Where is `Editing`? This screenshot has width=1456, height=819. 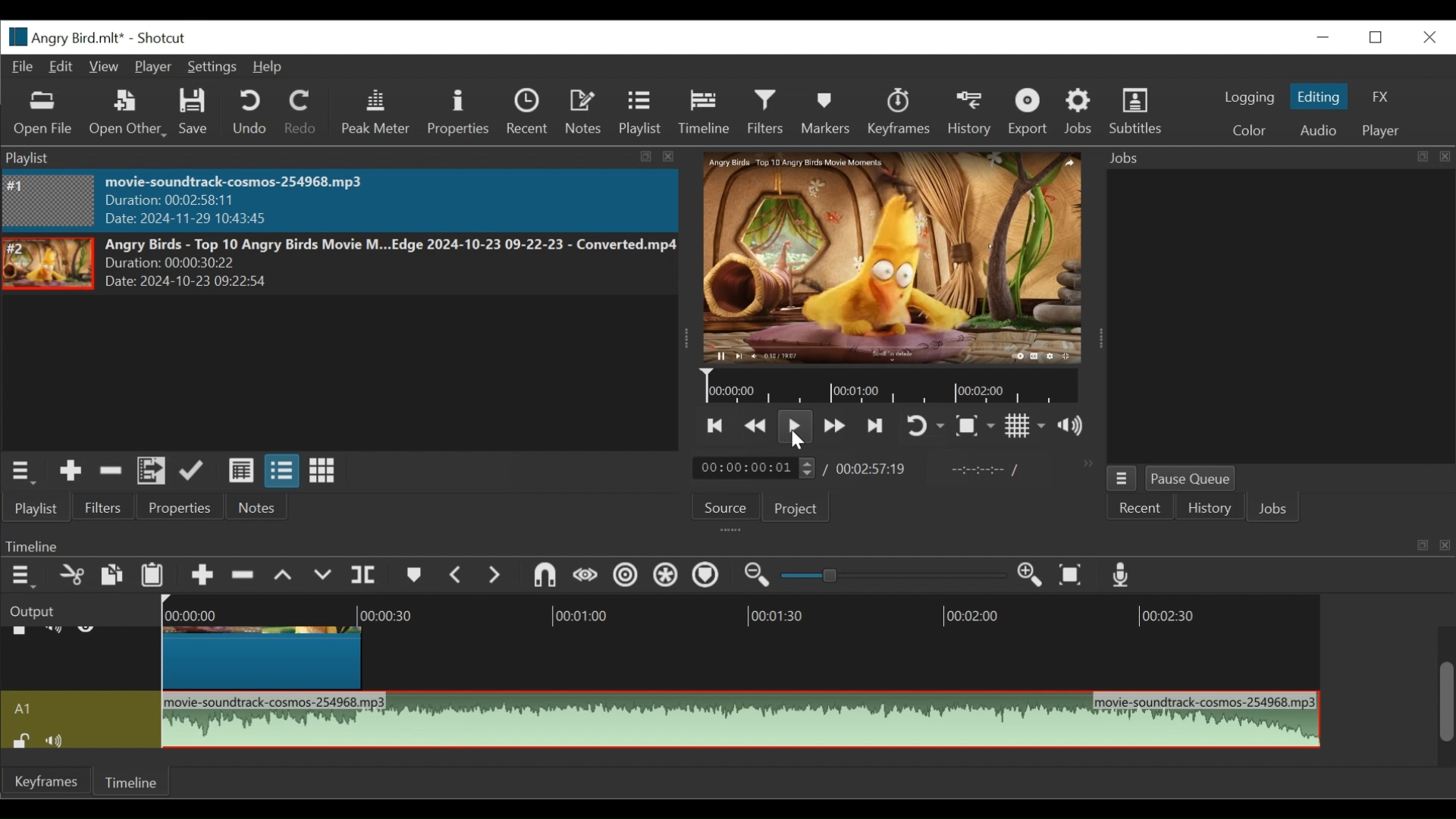 Editing is located at coordinates (1319, 97).